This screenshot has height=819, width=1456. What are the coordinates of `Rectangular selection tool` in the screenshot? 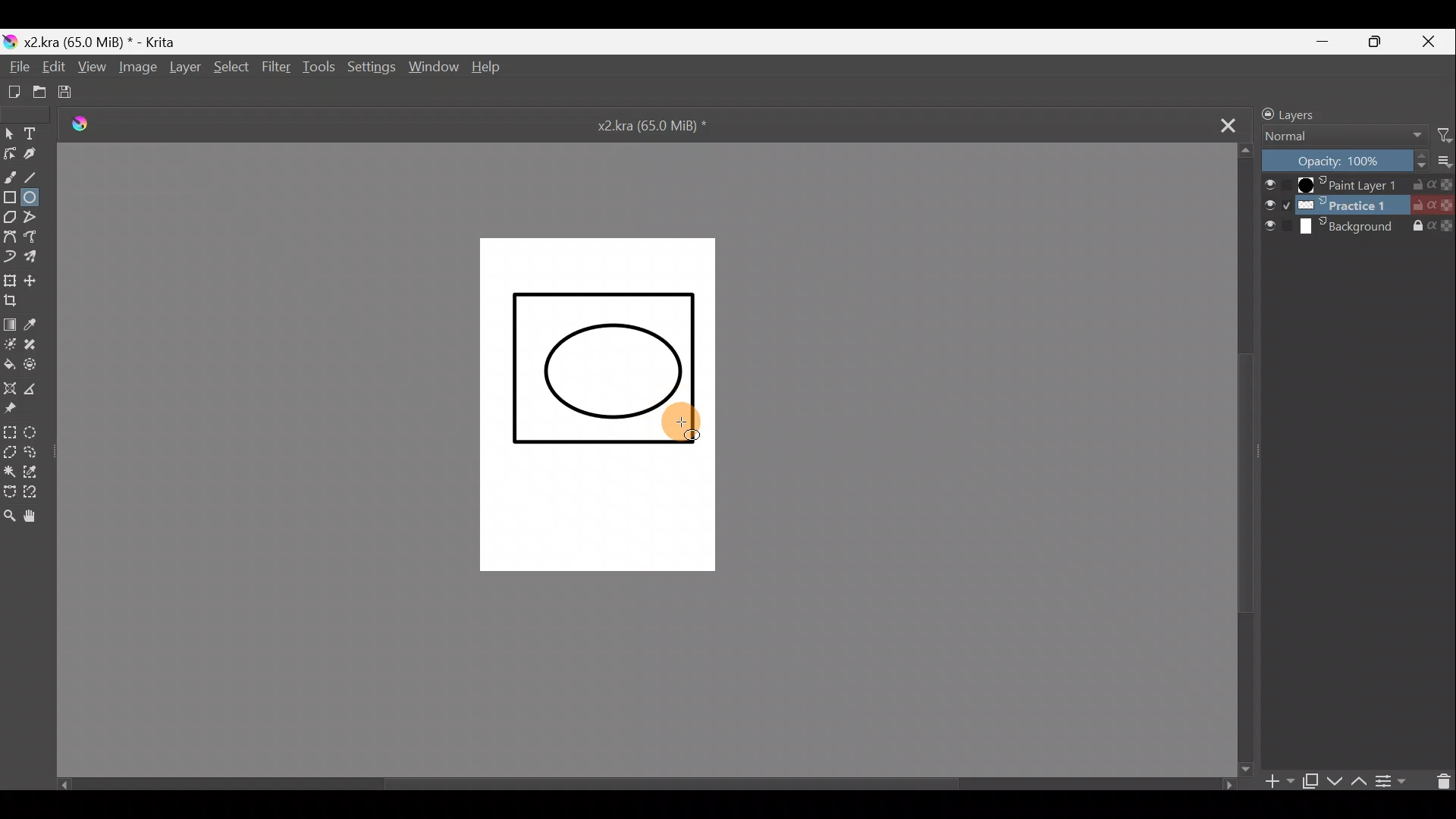 It's located at (10, 431).